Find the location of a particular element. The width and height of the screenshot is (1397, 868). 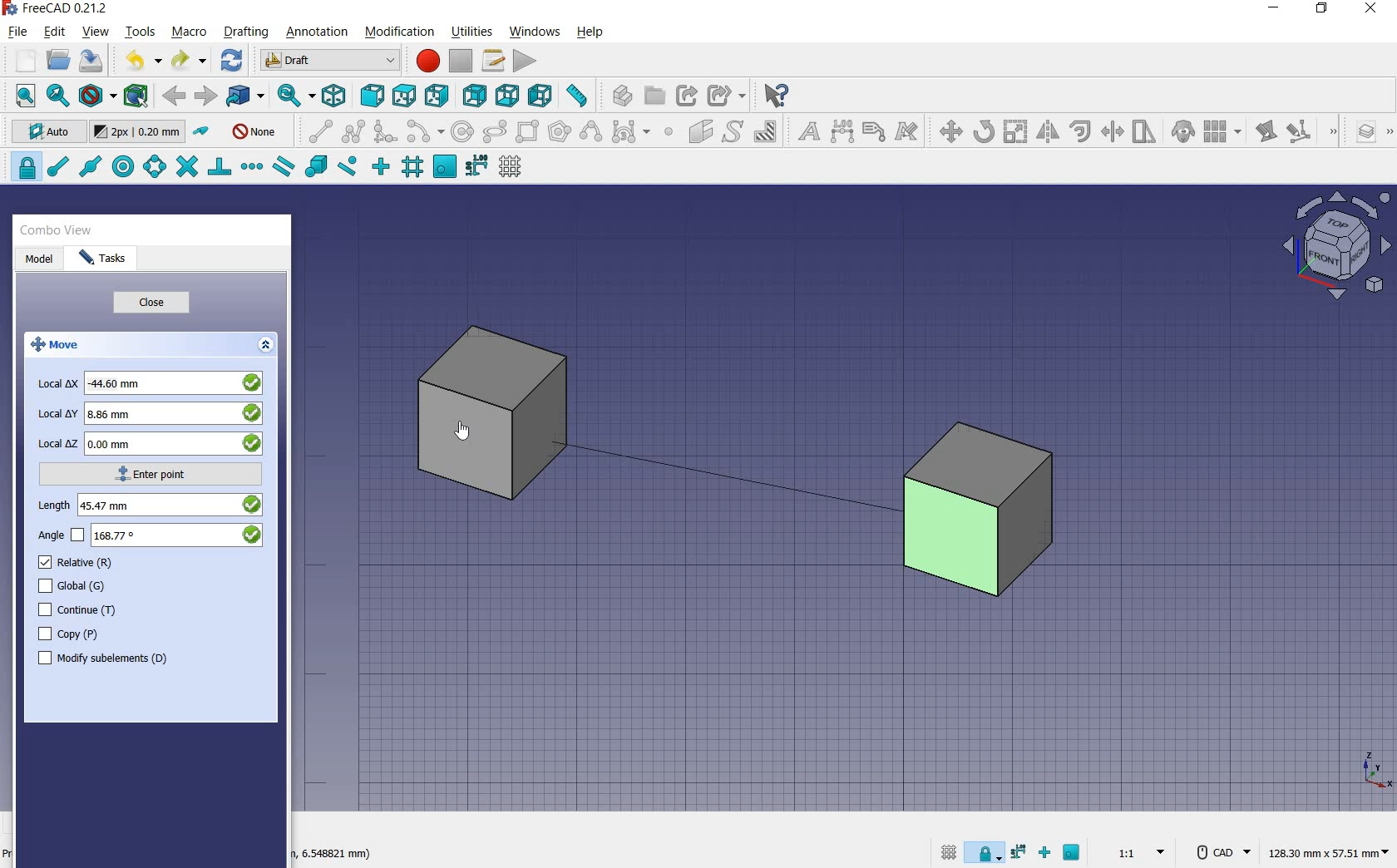

restore down is located at coordinates (1324, 10).